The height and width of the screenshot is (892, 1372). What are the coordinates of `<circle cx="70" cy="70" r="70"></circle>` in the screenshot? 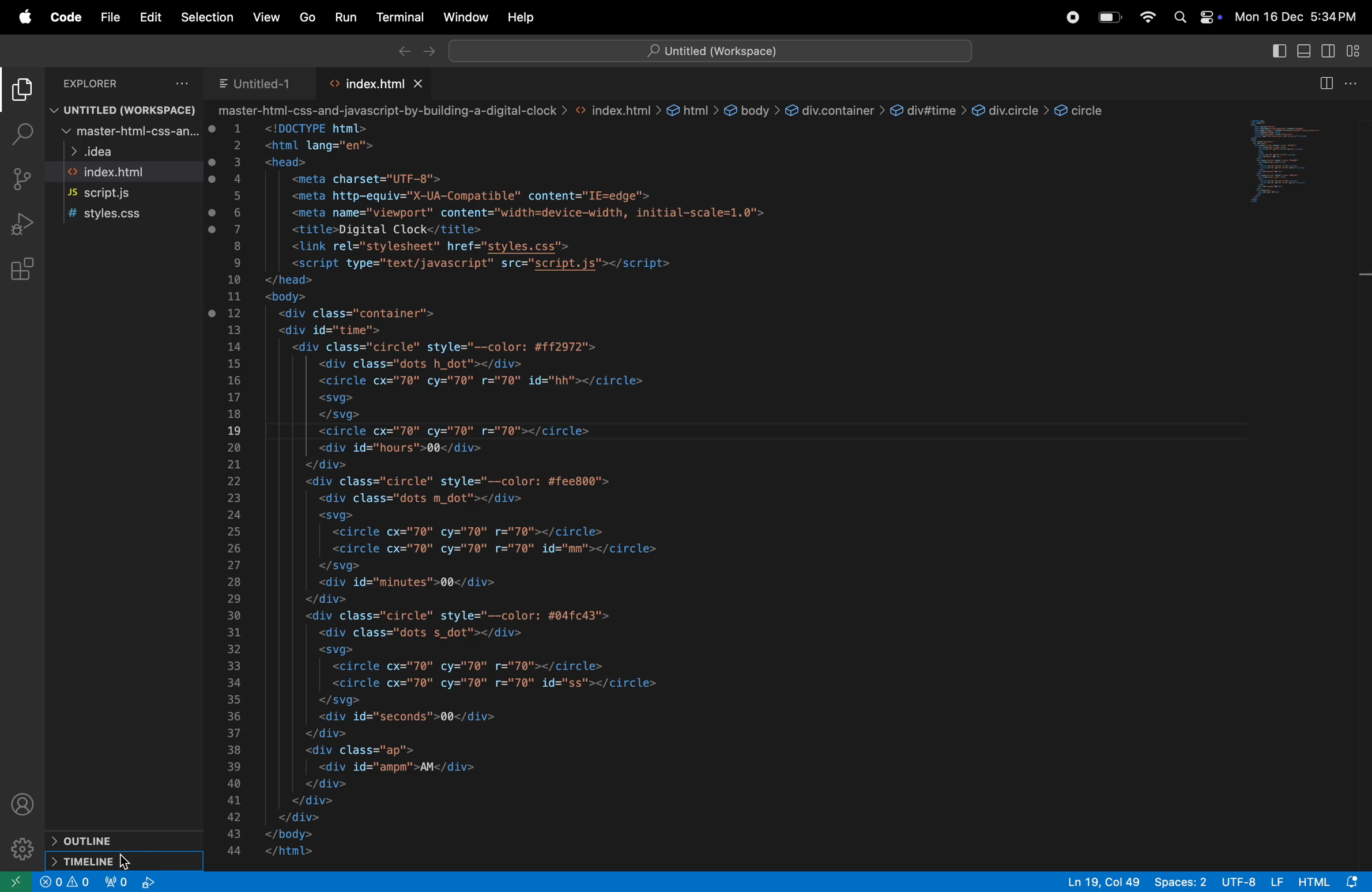 It's located at (457, 430).